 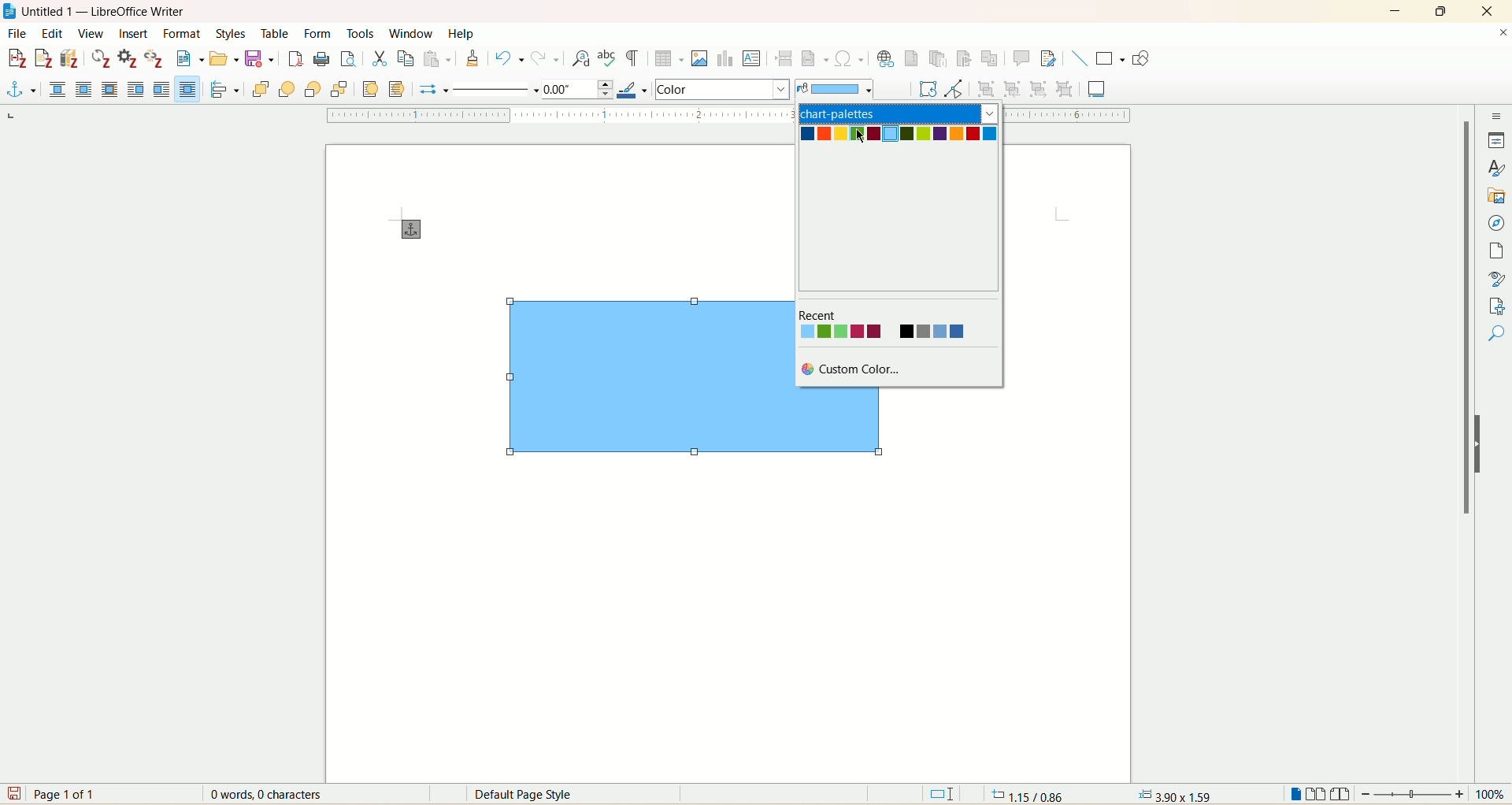 I want to click on format, so click(x=183, y=33).